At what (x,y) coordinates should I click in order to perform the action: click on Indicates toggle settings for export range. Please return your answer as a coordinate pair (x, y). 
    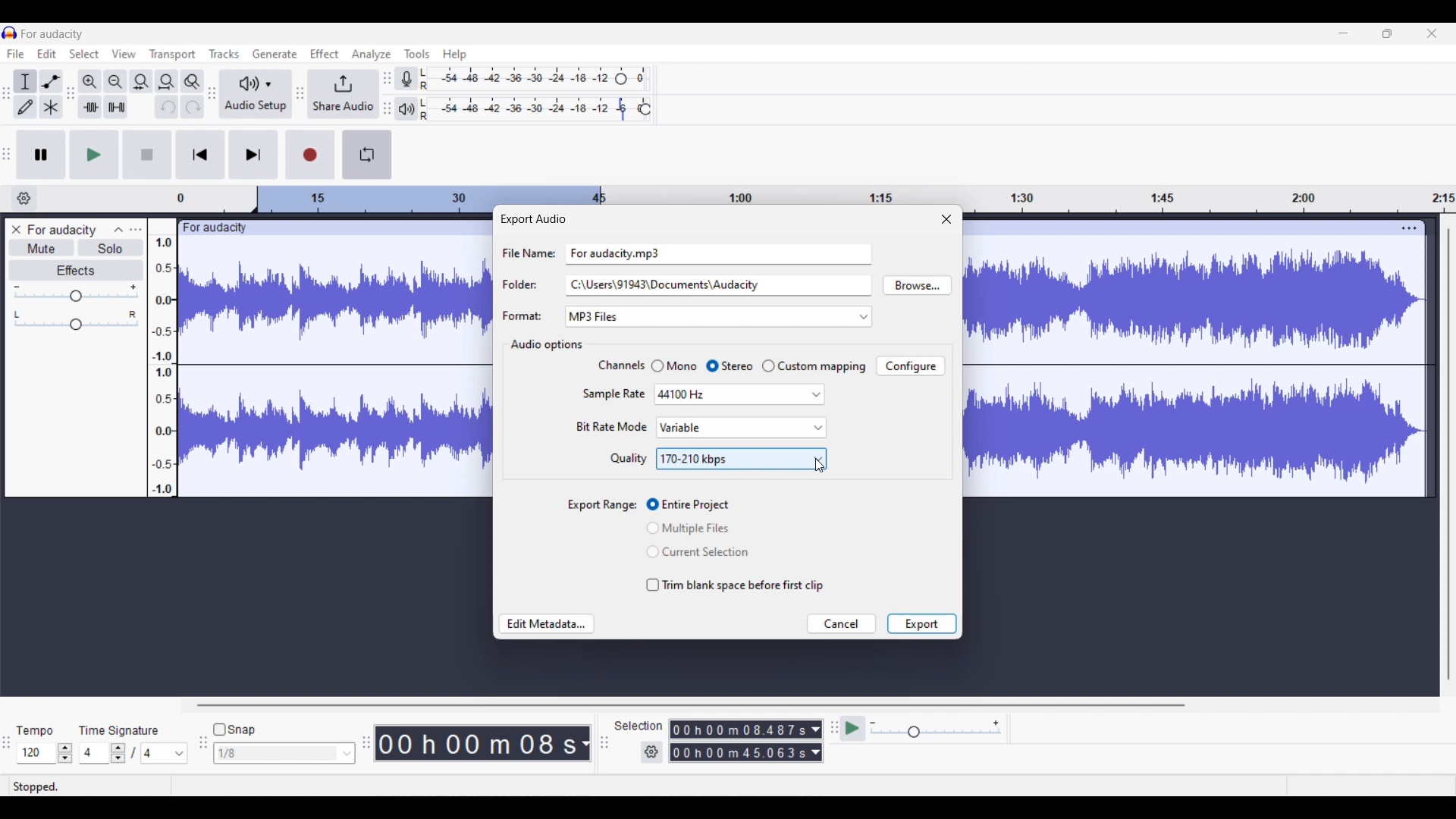
    Looking at the image, I should click on (603, 506).